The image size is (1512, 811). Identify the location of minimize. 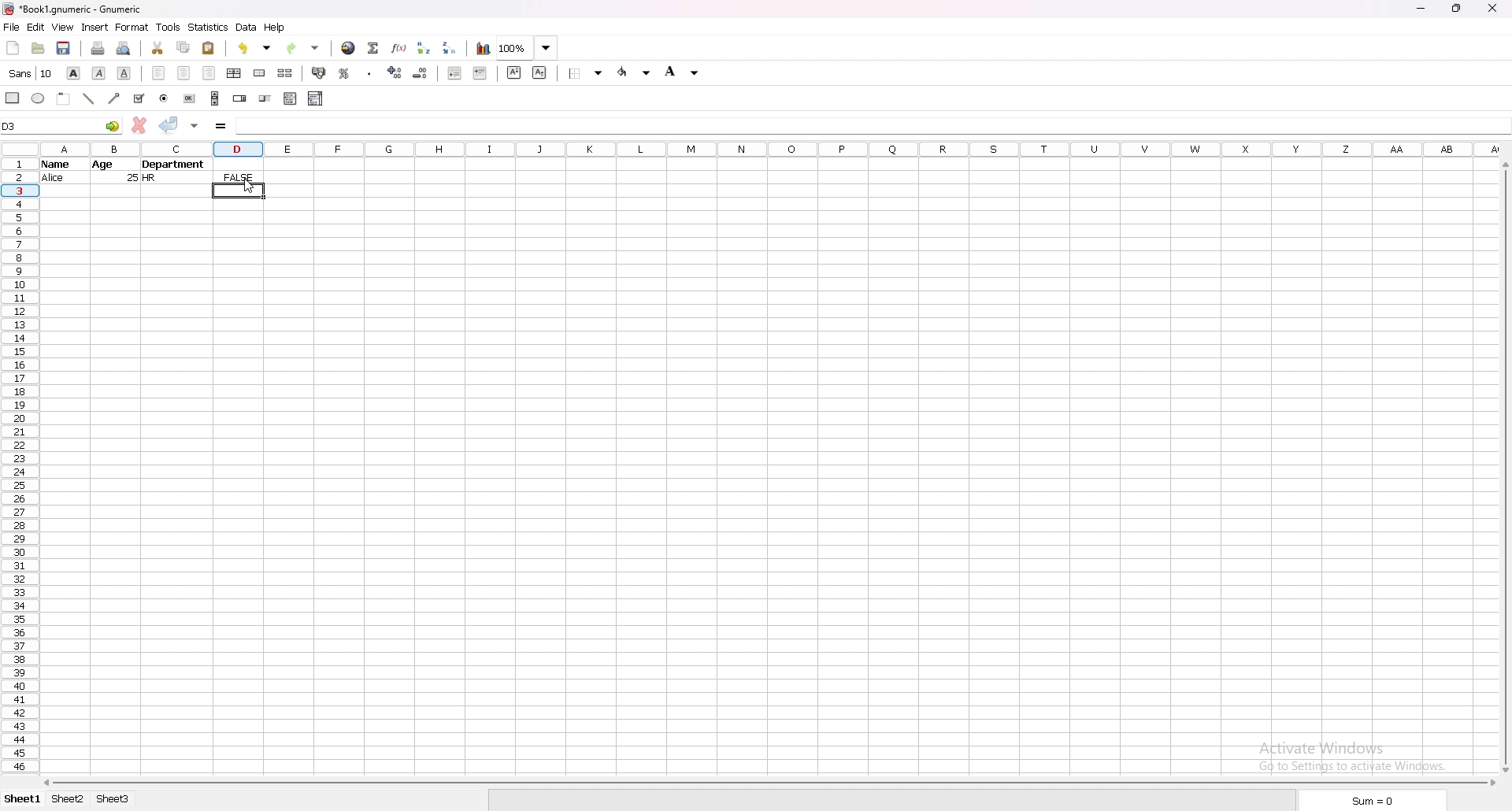
(1421, 9).